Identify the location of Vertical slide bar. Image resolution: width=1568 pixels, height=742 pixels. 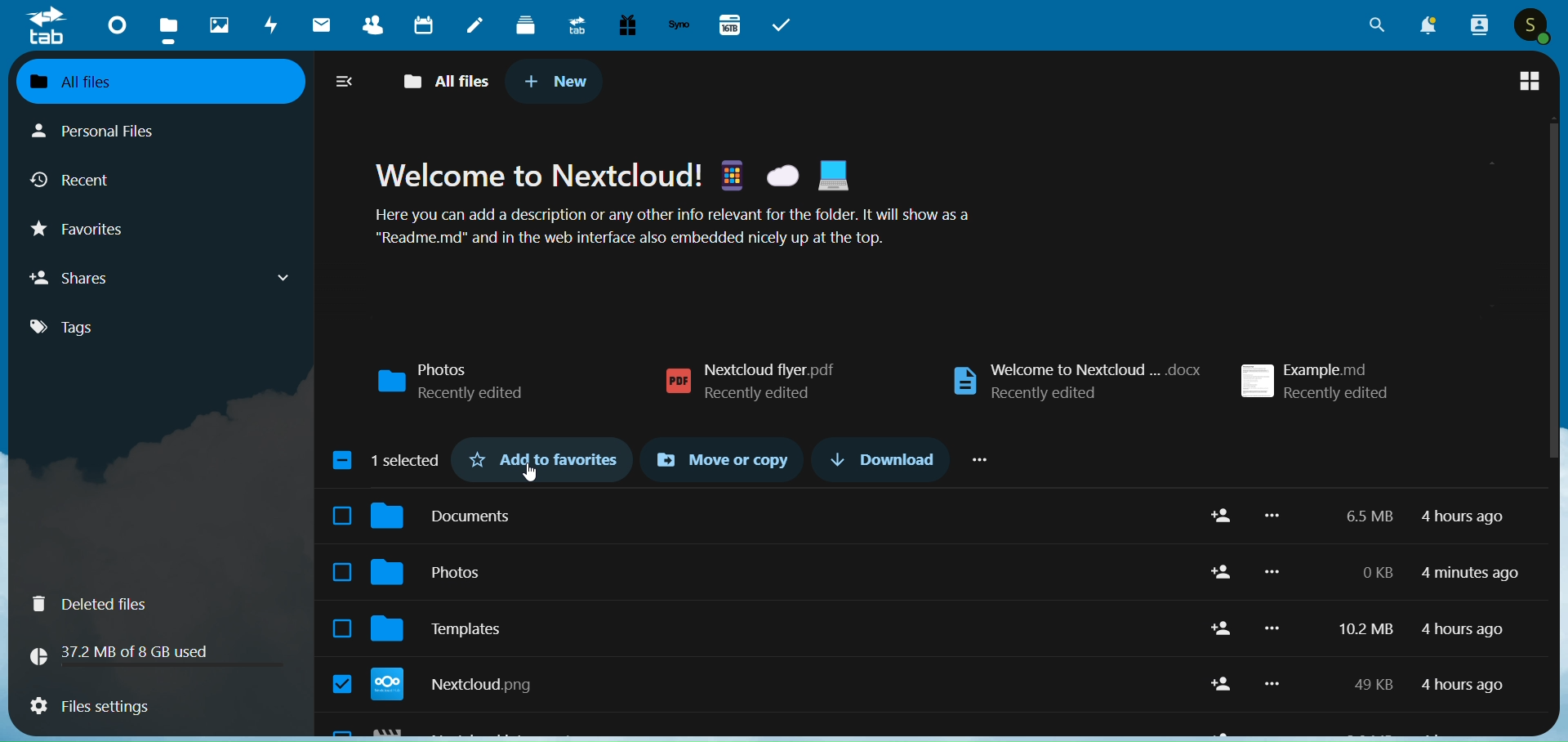
(1554, 362).